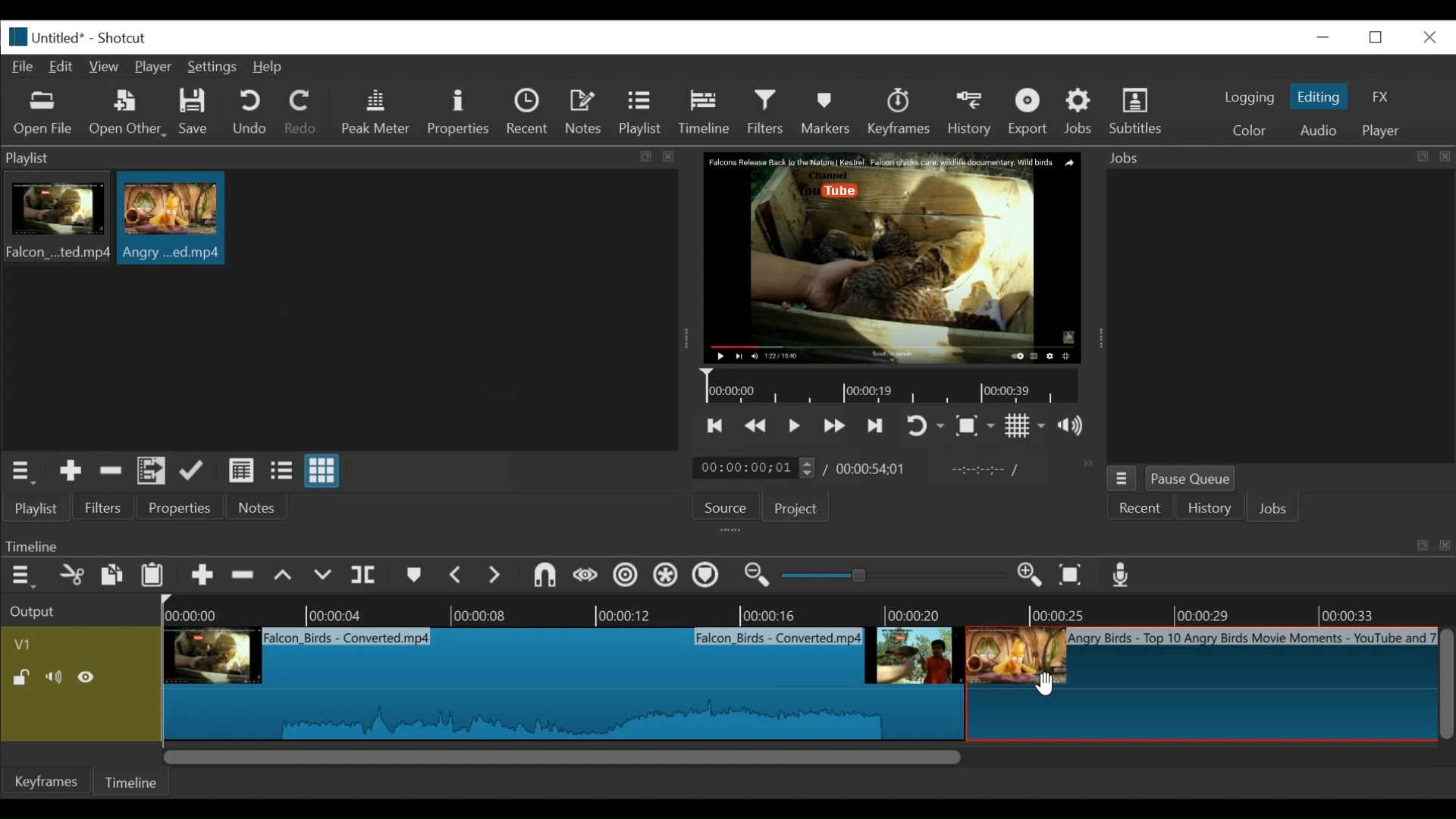 The image size is (1456, 819). Describe the element at coordinates (48, 781) in the screenshot. I see `Keyframes` at that location.